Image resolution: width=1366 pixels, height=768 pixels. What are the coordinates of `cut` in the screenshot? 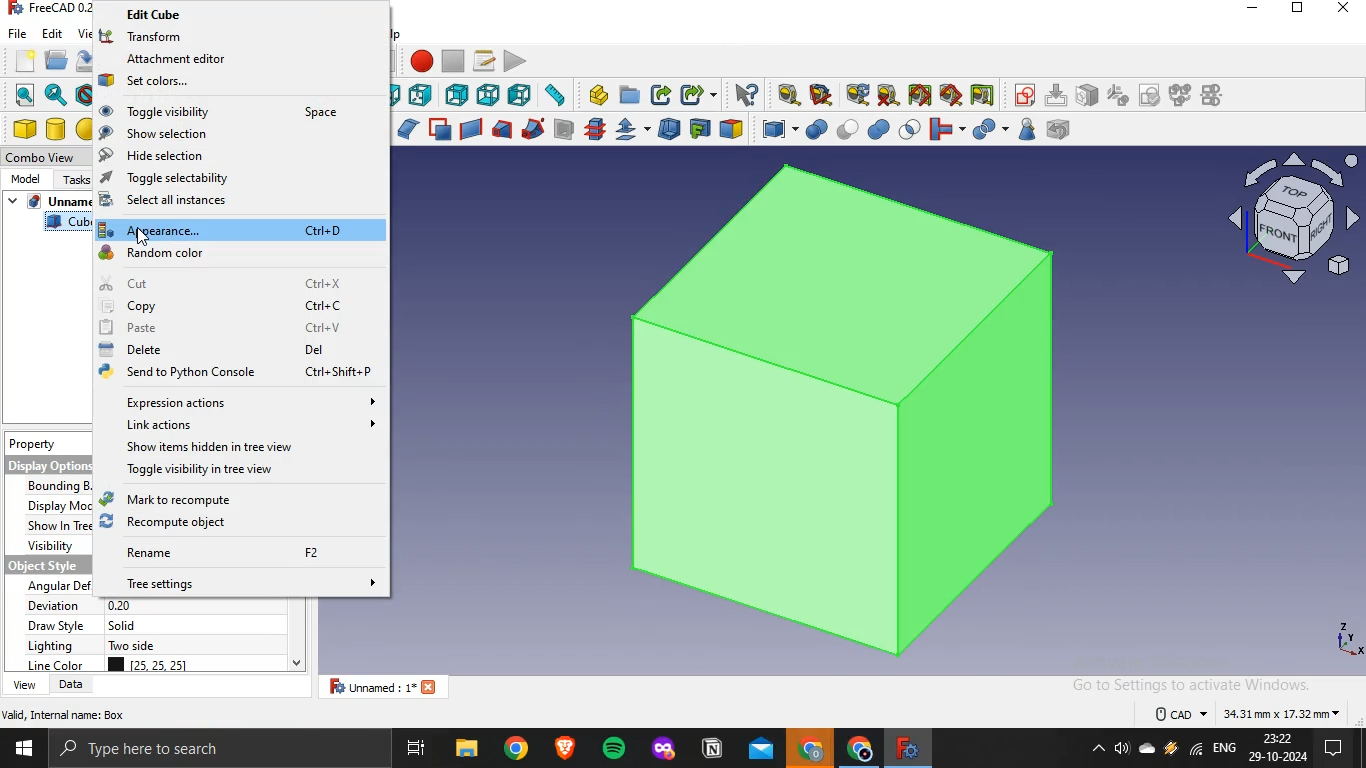 It's located at (848, 127).